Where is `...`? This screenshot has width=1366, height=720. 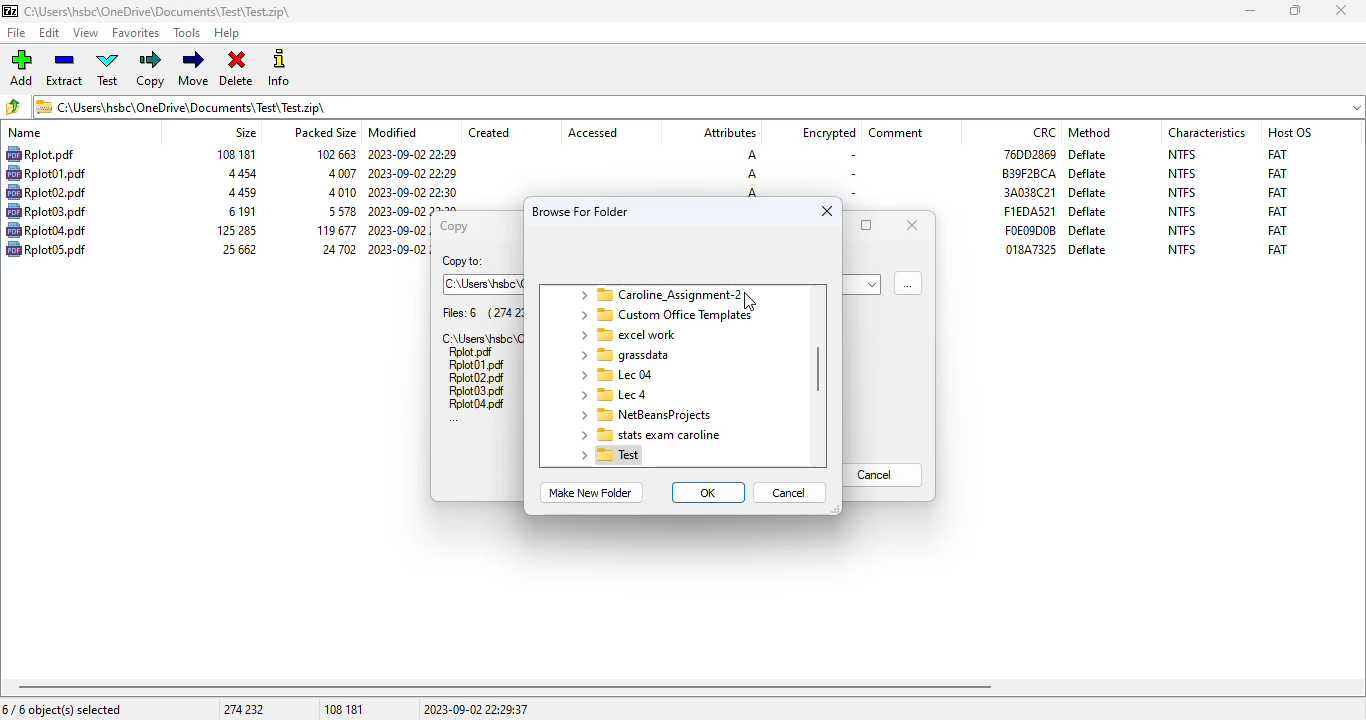 ... is located at coordinates (454, 420).